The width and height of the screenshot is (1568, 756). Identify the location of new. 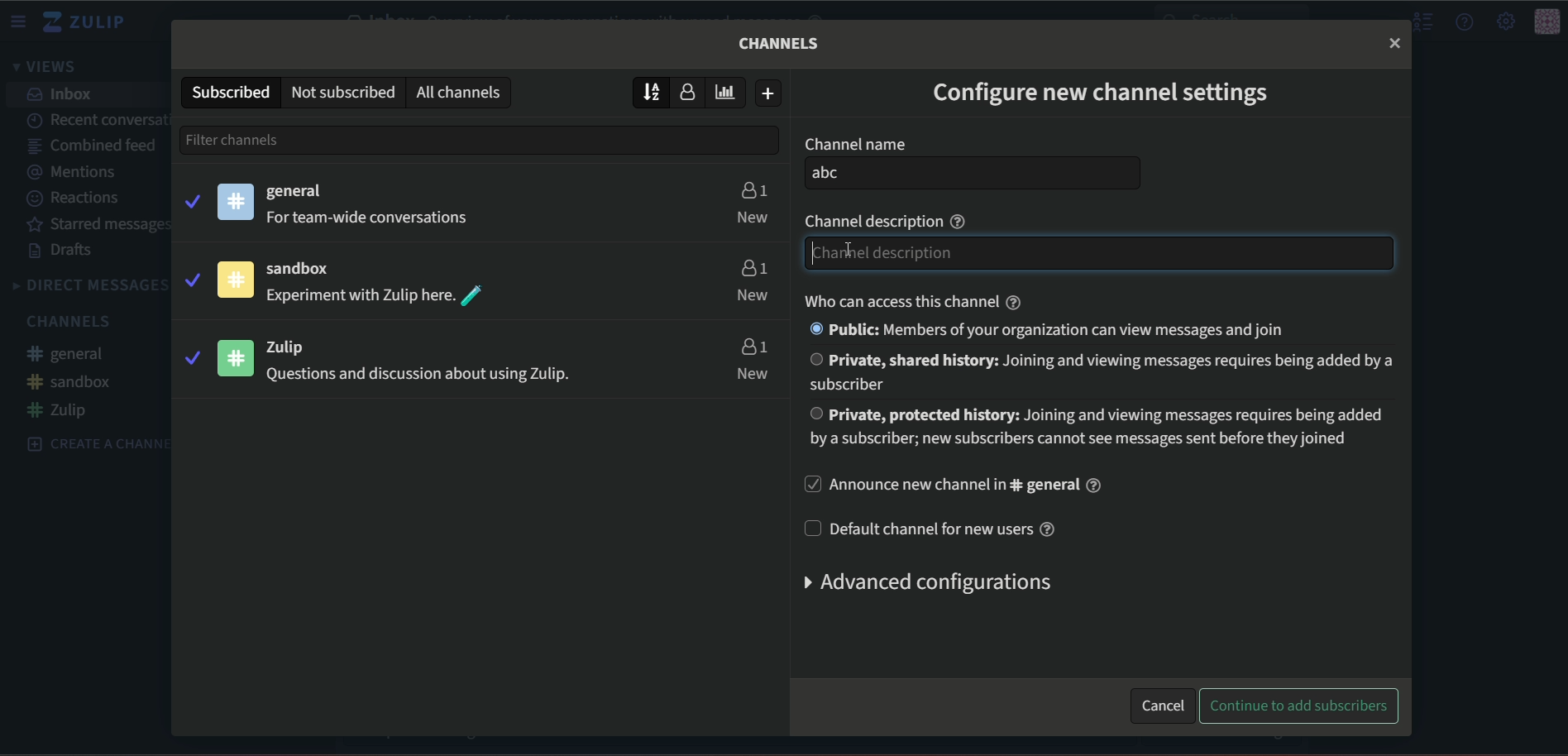
(753, 217).